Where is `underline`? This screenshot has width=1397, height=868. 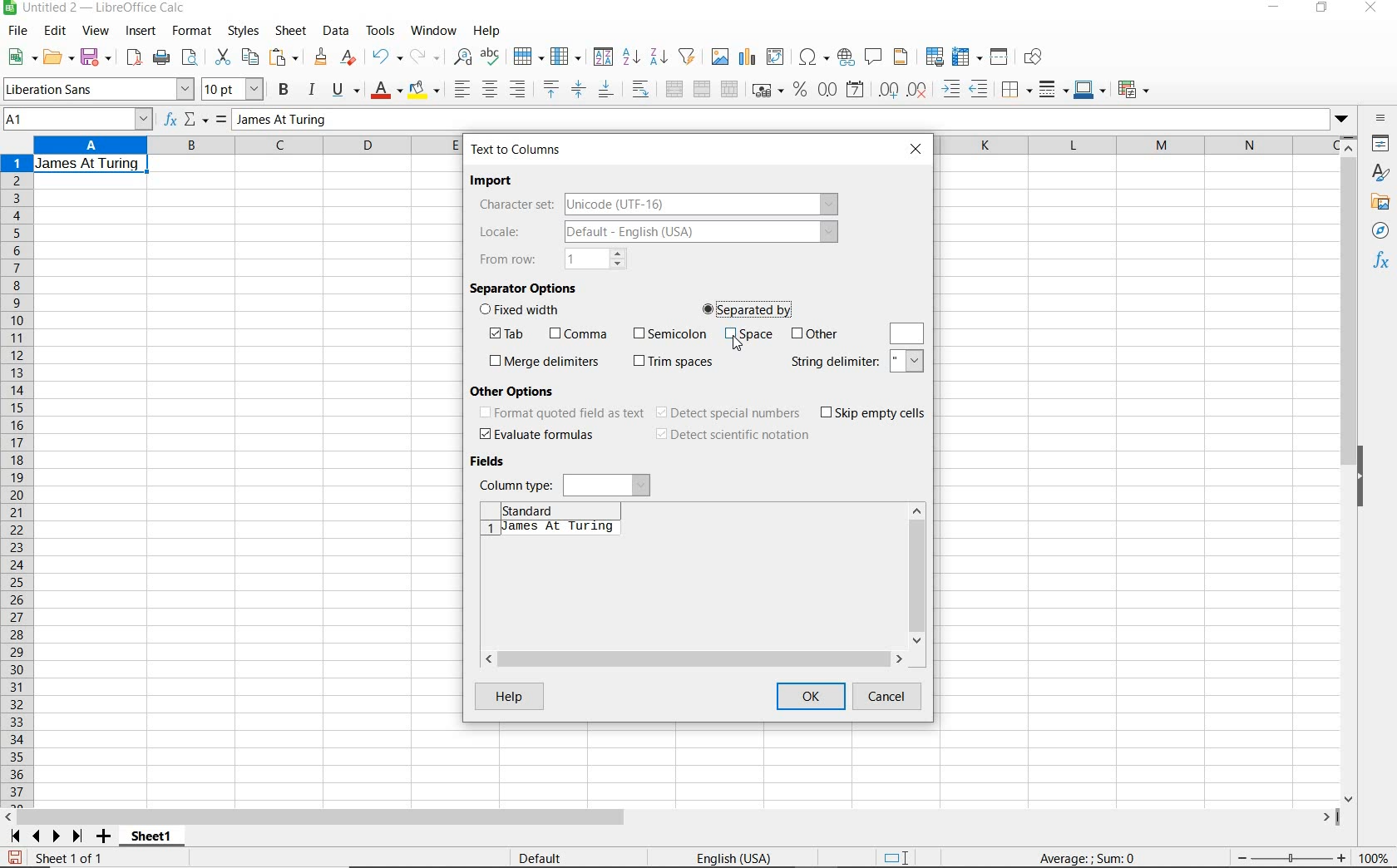
underline is located at coordinates (346, 90).